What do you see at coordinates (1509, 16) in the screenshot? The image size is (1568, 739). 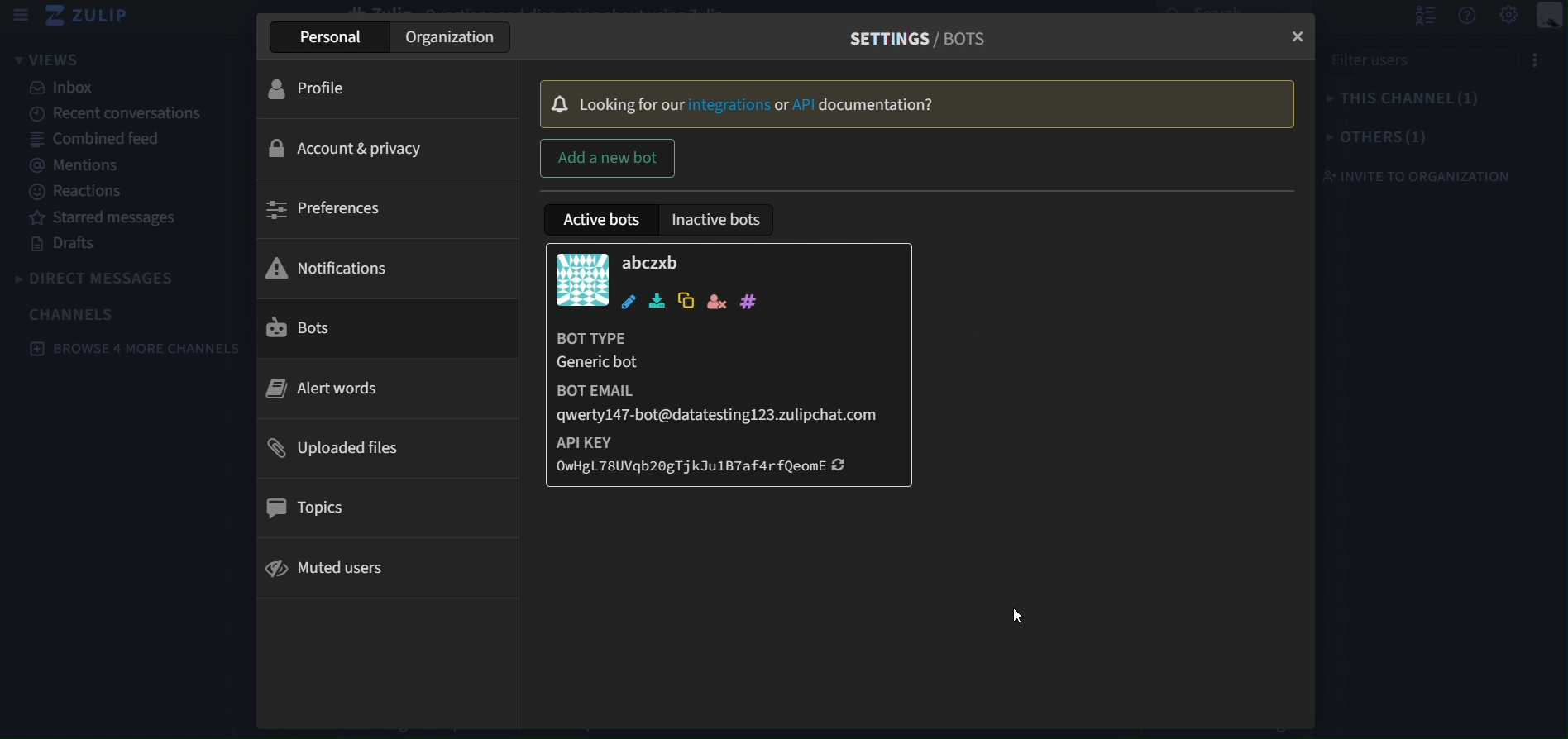 I see `Settings` at bounding box center [1509, 16].